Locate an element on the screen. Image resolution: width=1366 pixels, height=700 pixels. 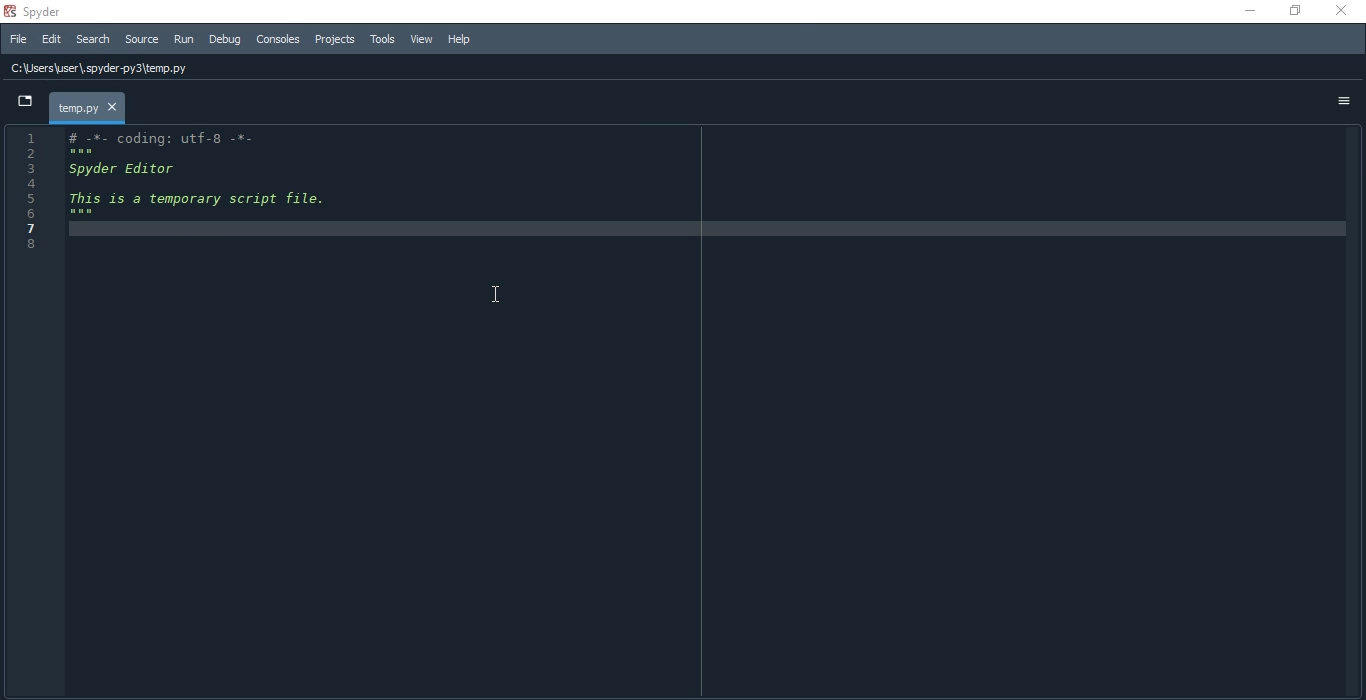
Search is located at coordinates (93, 39).